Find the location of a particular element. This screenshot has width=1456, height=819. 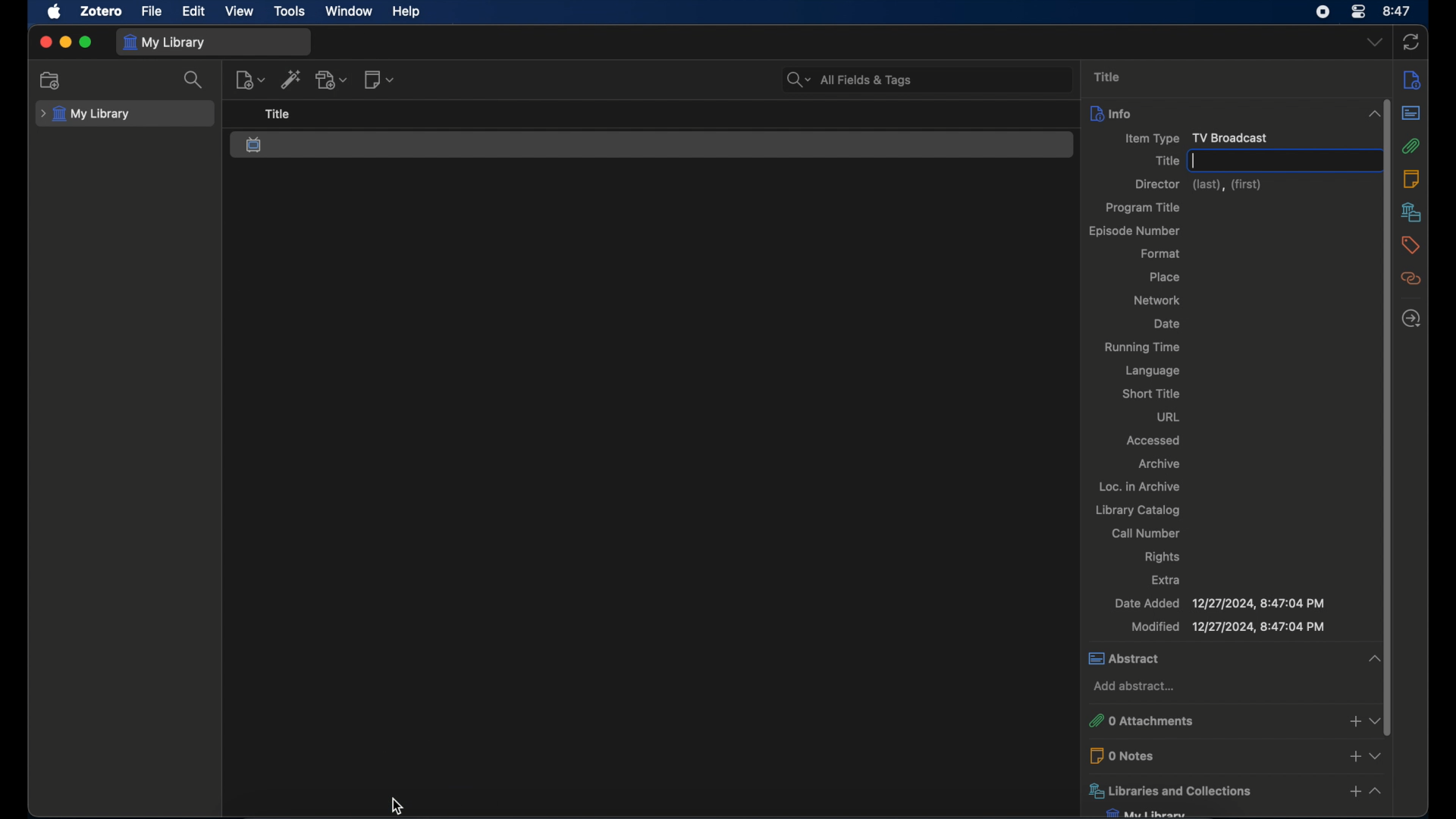

add attachment is located at coordinates (332, 79).